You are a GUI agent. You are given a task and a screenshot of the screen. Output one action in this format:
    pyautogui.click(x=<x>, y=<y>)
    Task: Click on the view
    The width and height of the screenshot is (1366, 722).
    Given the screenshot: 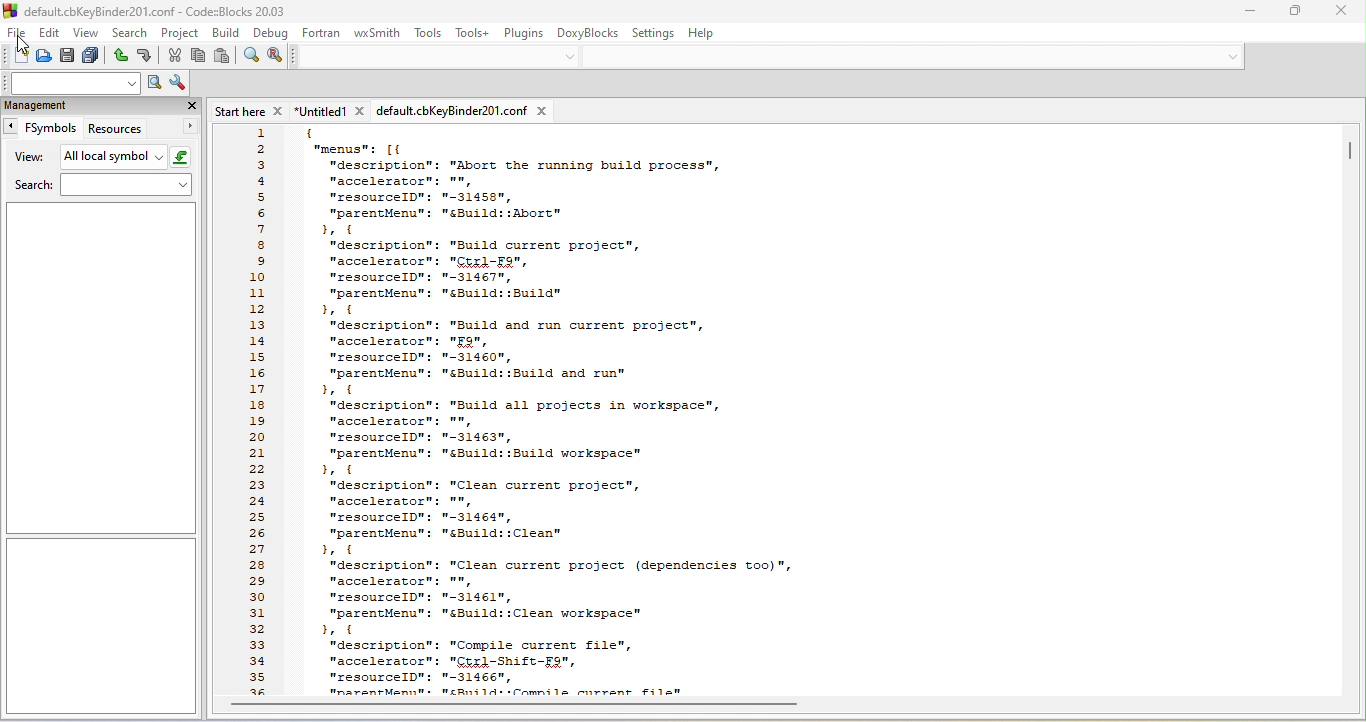 What is the action you would take?
    pyautogui.click(x=88, y=34)
    